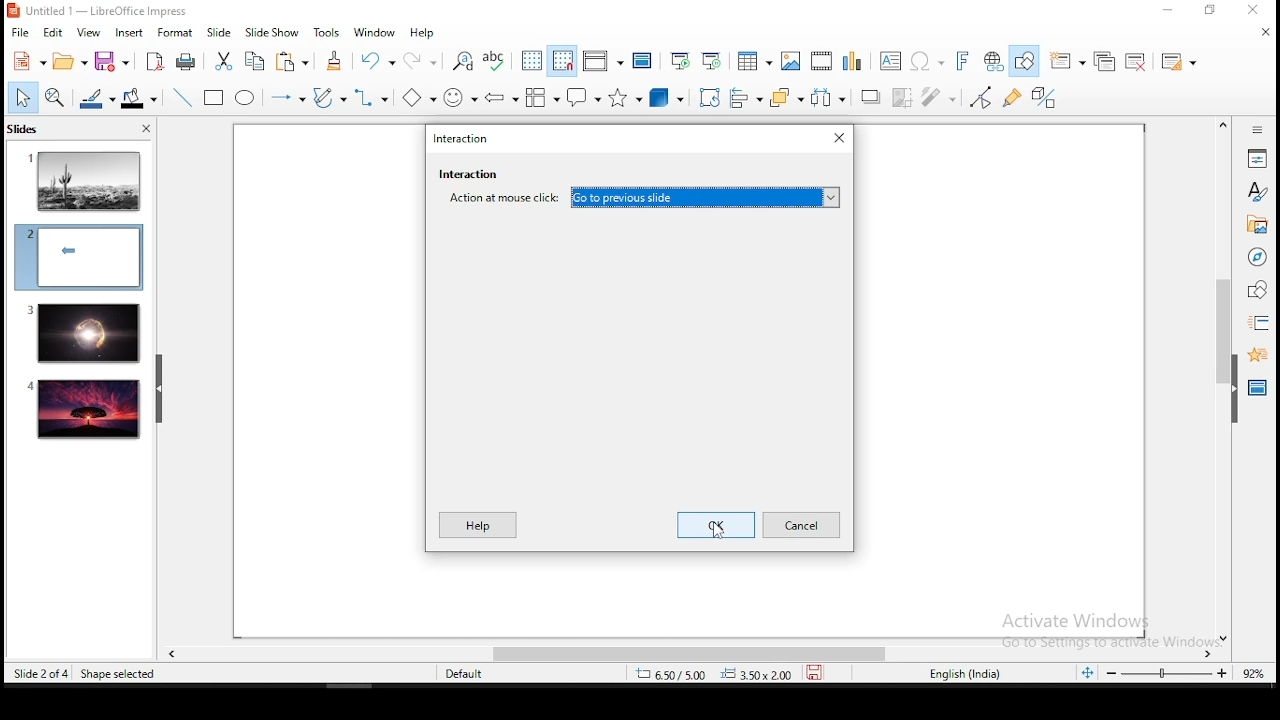 This screenshot has height=720, width=1280. I want to click on callout shapes, so click(586, 99).